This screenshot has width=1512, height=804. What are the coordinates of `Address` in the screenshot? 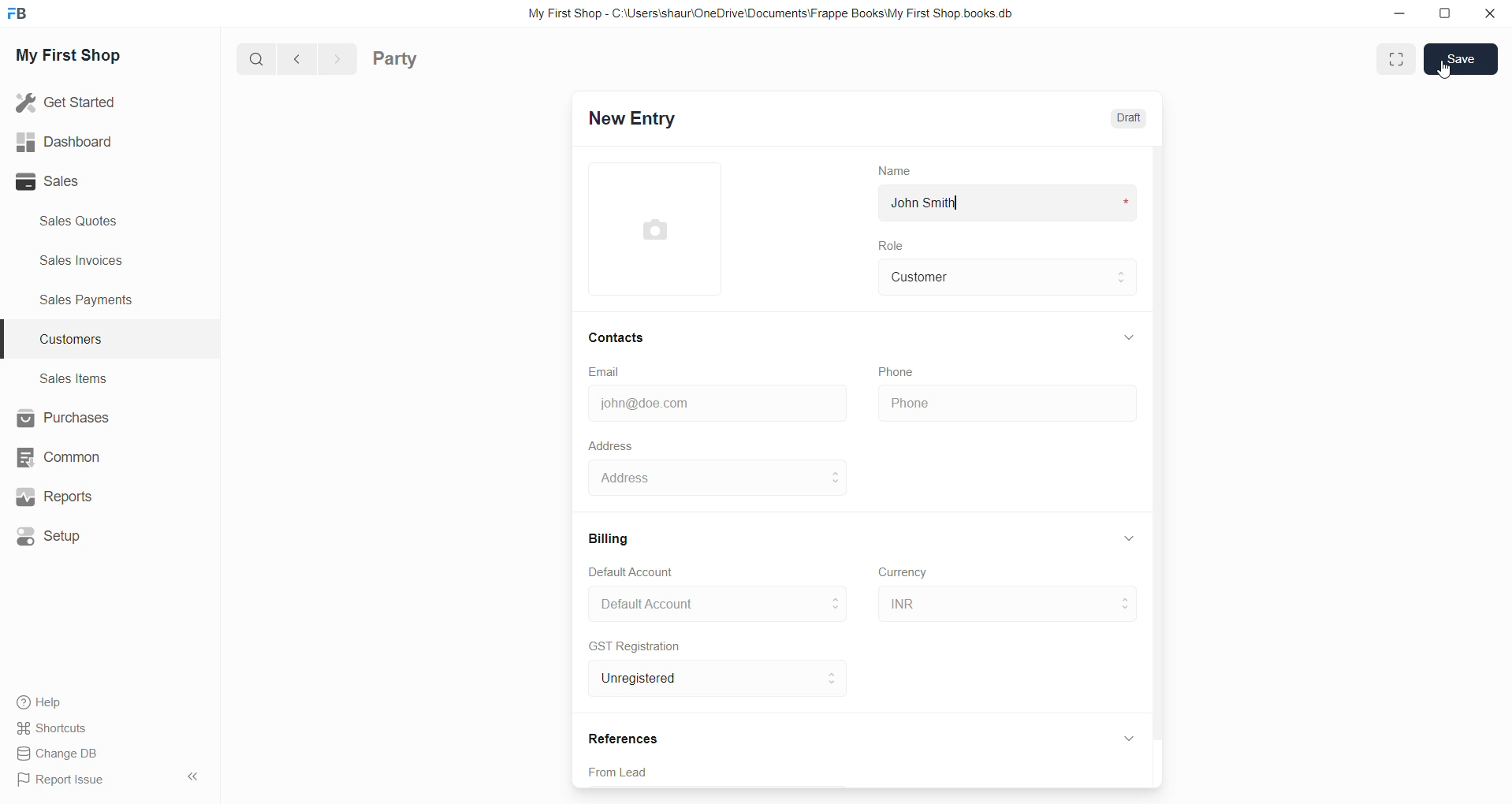 It's located at (702, 479).